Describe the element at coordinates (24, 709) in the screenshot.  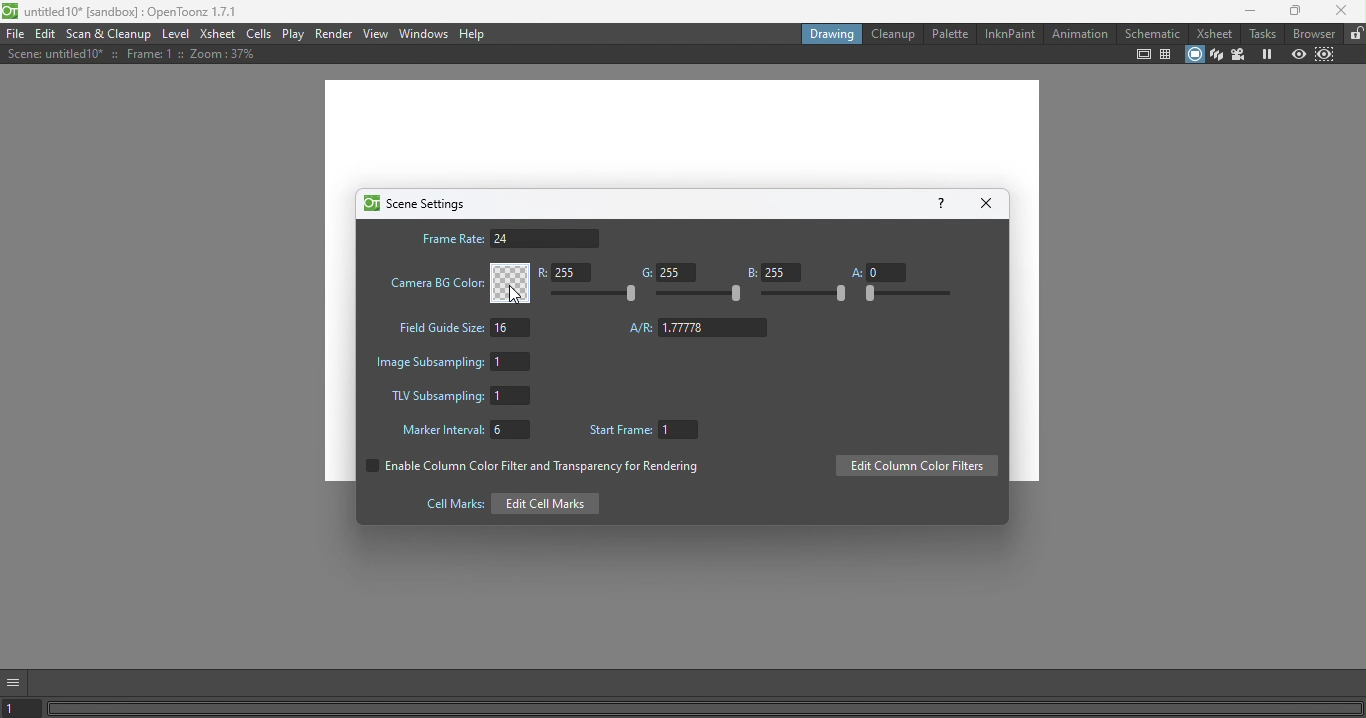
I see `set the current frame` at that location.